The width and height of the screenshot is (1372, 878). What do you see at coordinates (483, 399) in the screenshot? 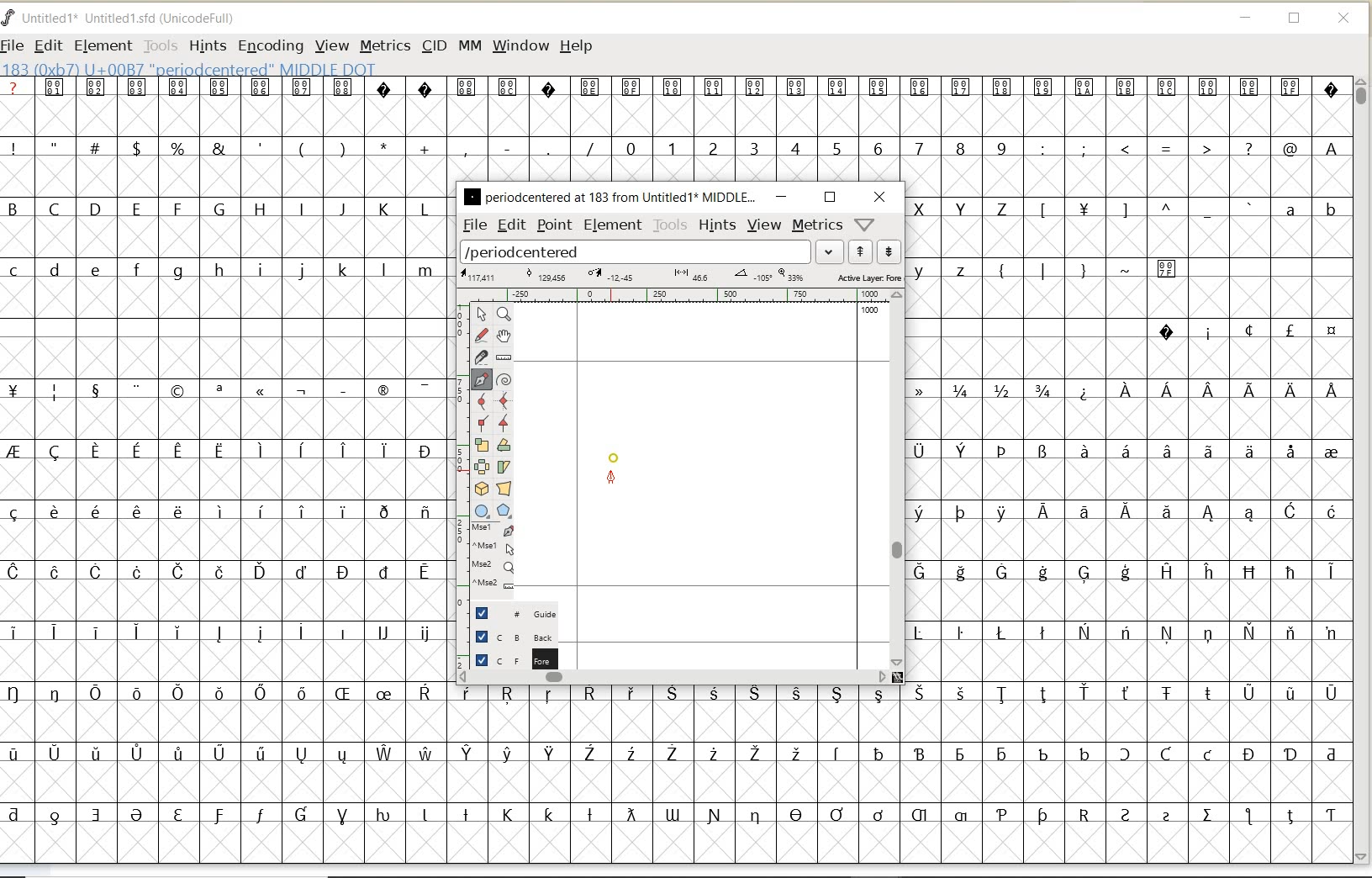
I see `add a curve point` at bounding box center [483, 399].